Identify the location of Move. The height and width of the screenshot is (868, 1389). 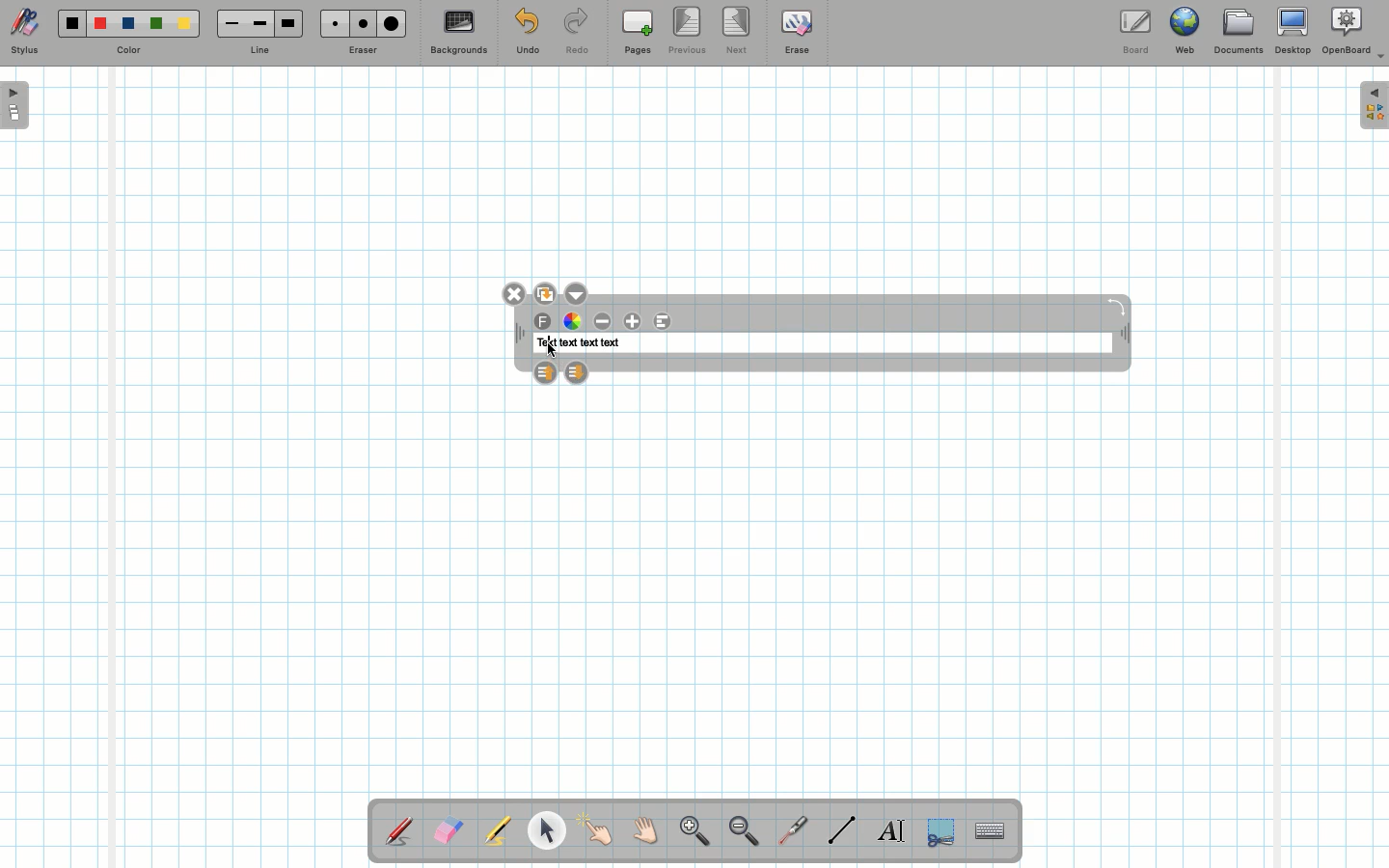
(520, 334).